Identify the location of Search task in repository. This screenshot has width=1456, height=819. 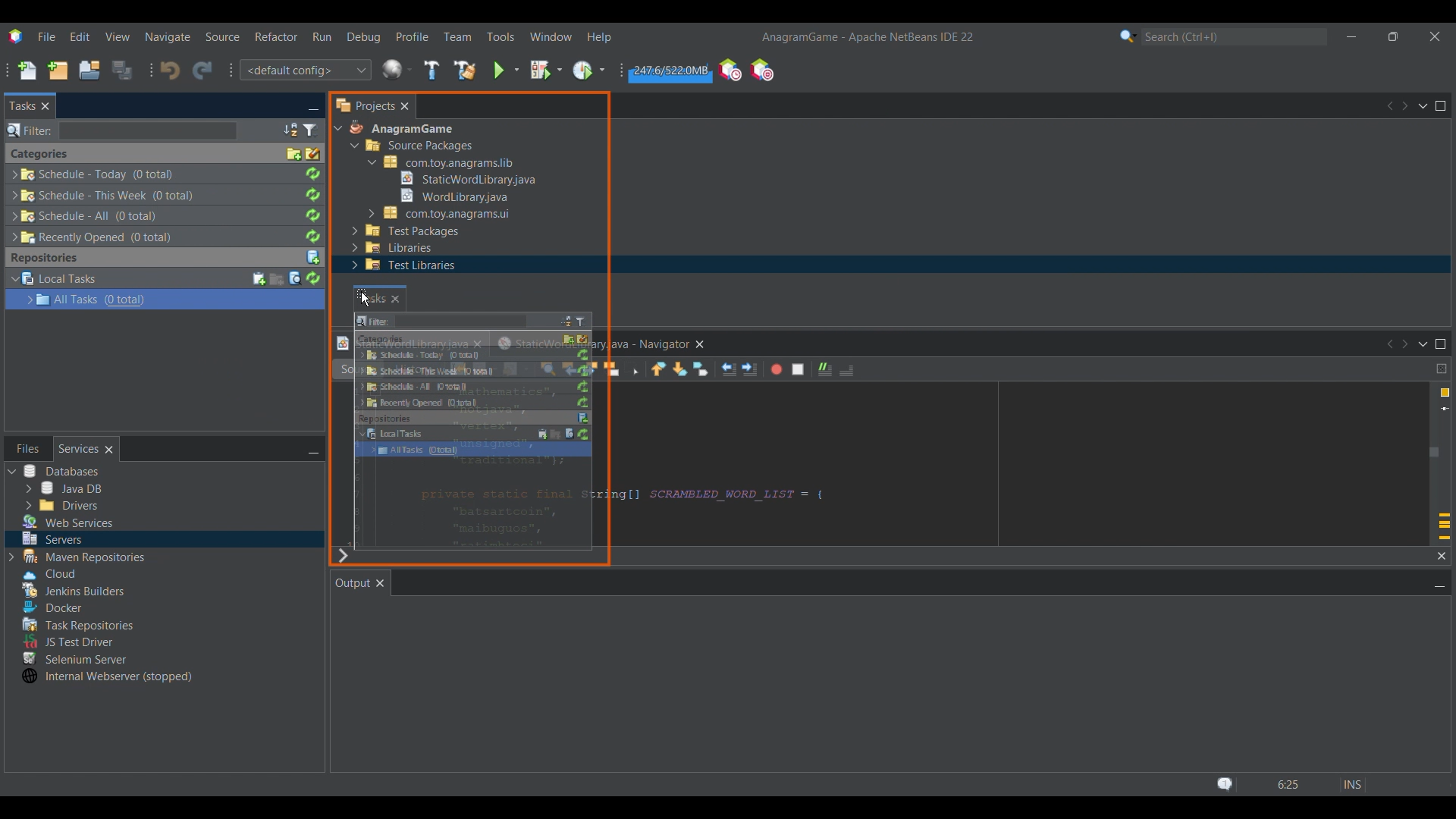
(295, 278).